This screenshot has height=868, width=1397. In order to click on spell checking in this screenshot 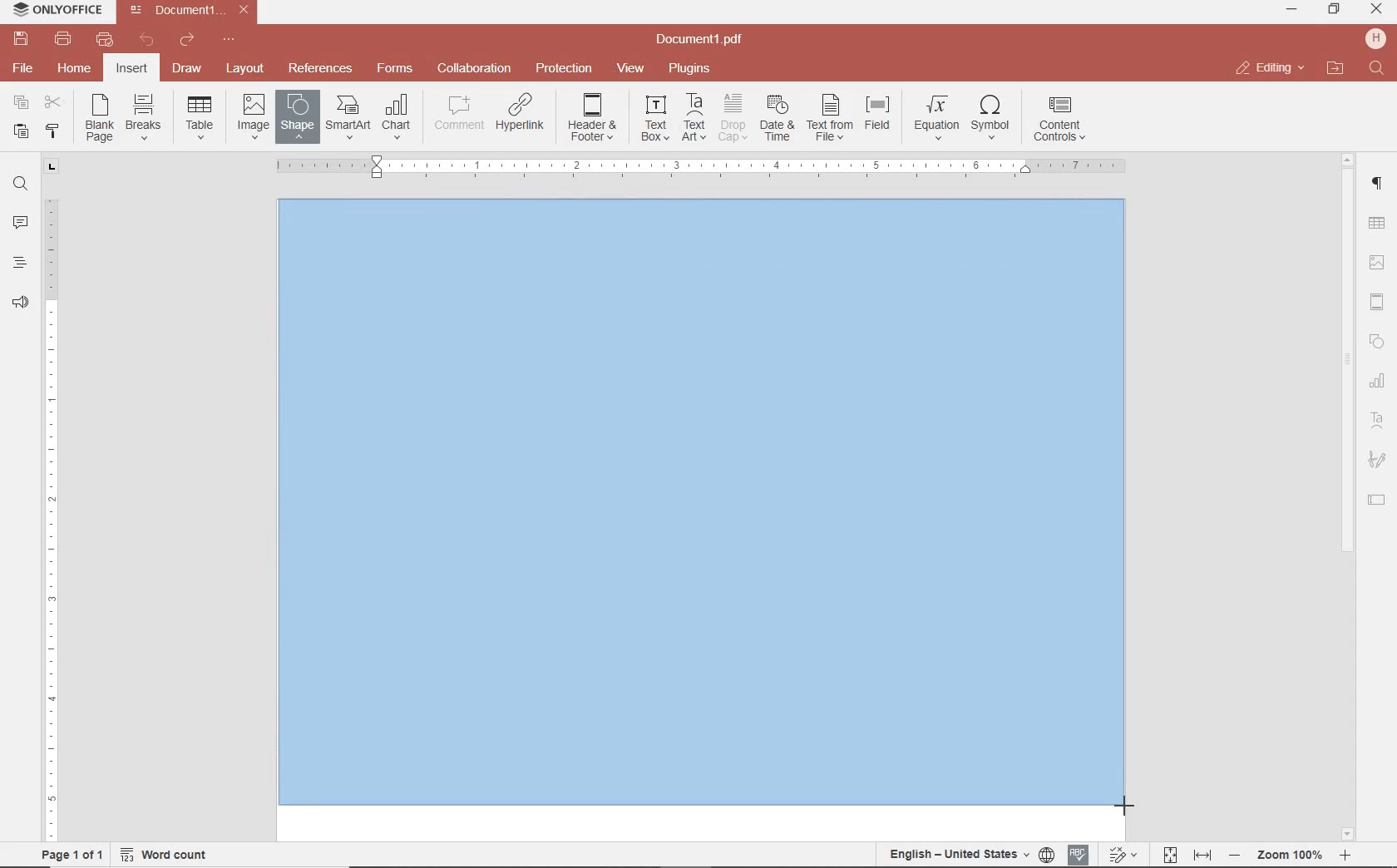, I will do `click(1079, 855)`.